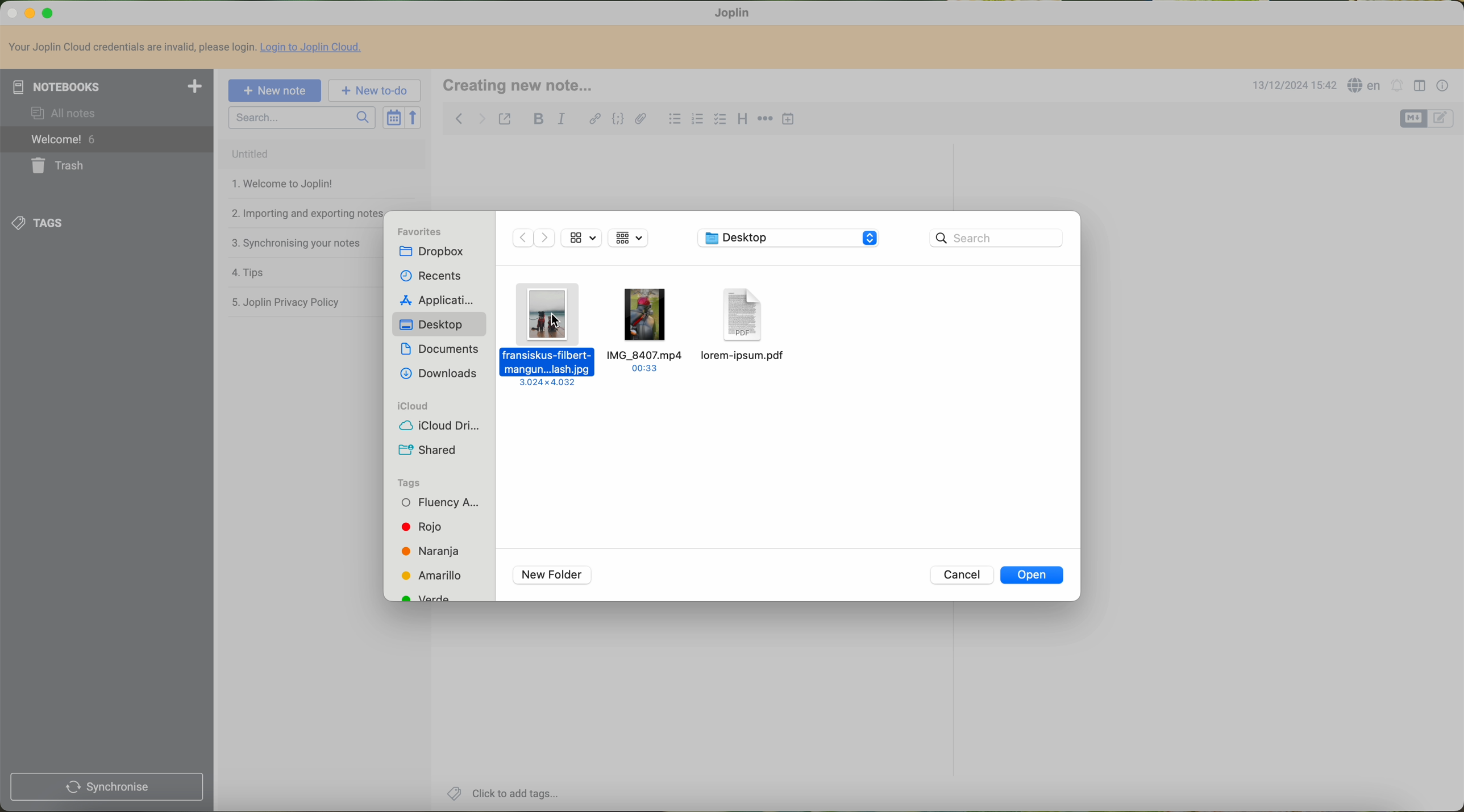  I want to click on language, so click(1365, 85).